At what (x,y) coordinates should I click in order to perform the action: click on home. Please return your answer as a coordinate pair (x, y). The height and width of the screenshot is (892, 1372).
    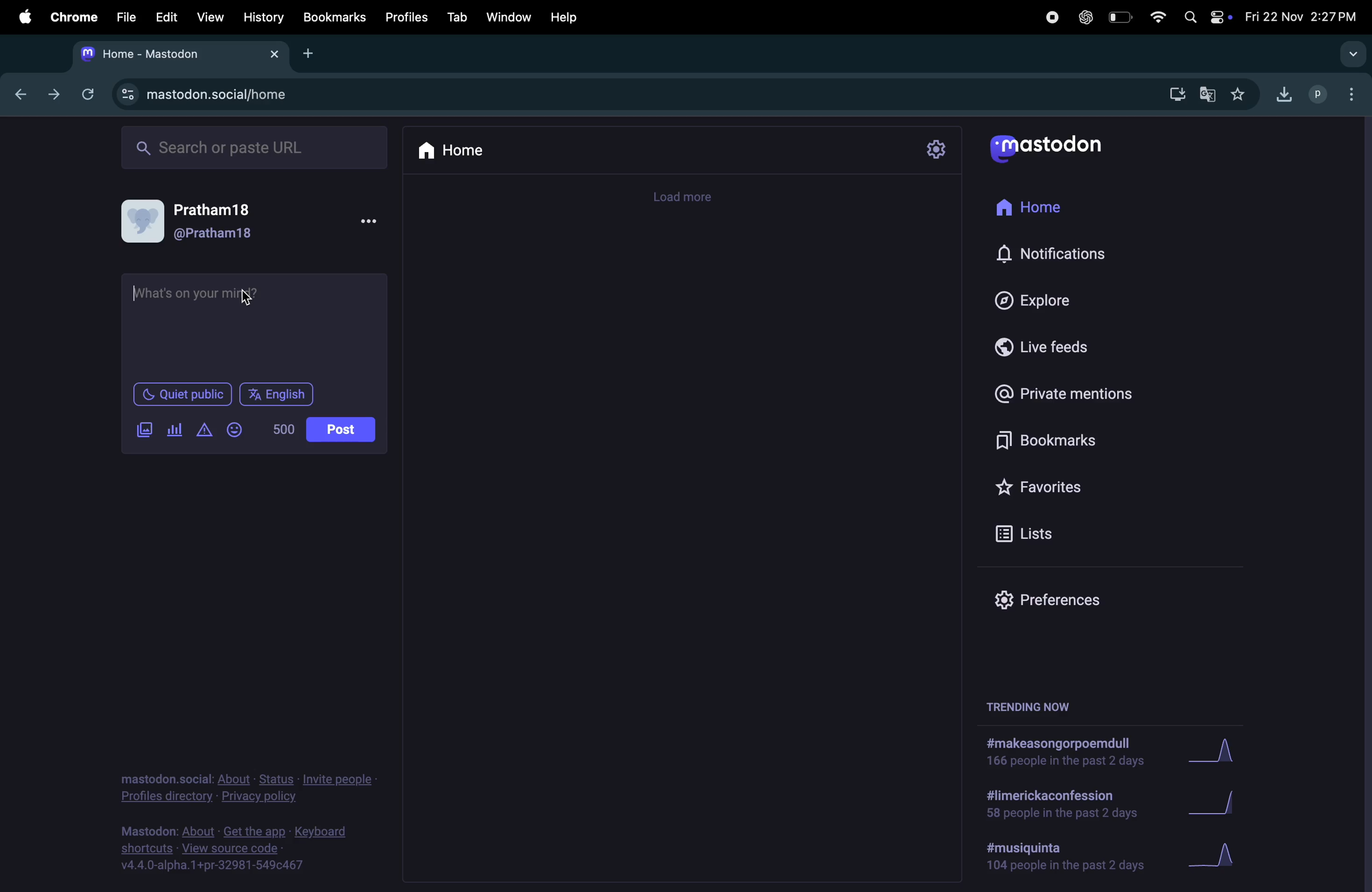
    Looking at the image, I should click on (1048, 206).